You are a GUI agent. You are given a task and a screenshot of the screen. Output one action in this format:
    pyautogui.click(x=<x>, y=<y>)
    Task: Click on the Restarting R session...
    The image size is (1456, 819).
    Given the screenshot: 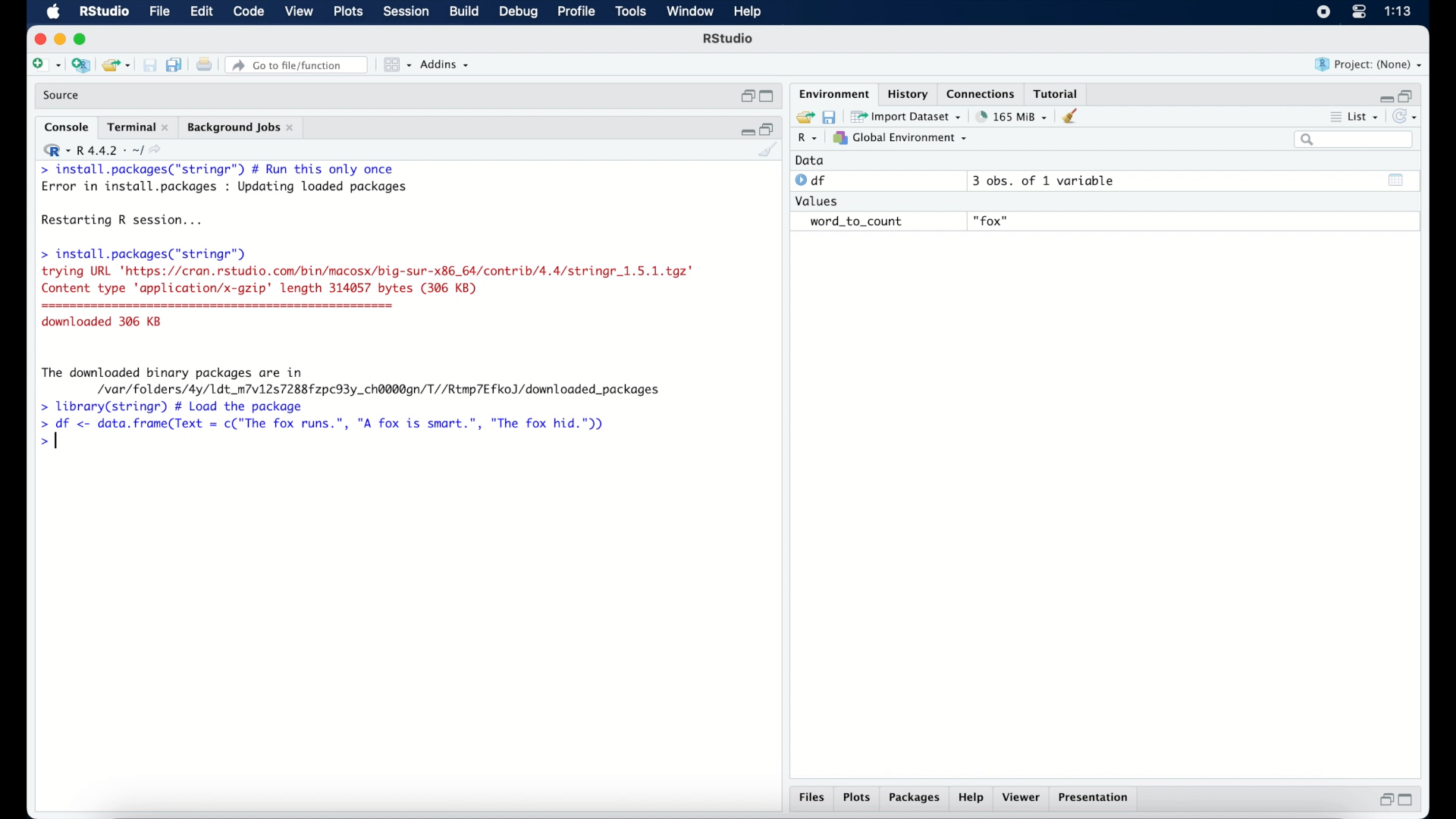 What is the action you would take?
    pyautogui.click(x=126, y=221)
    